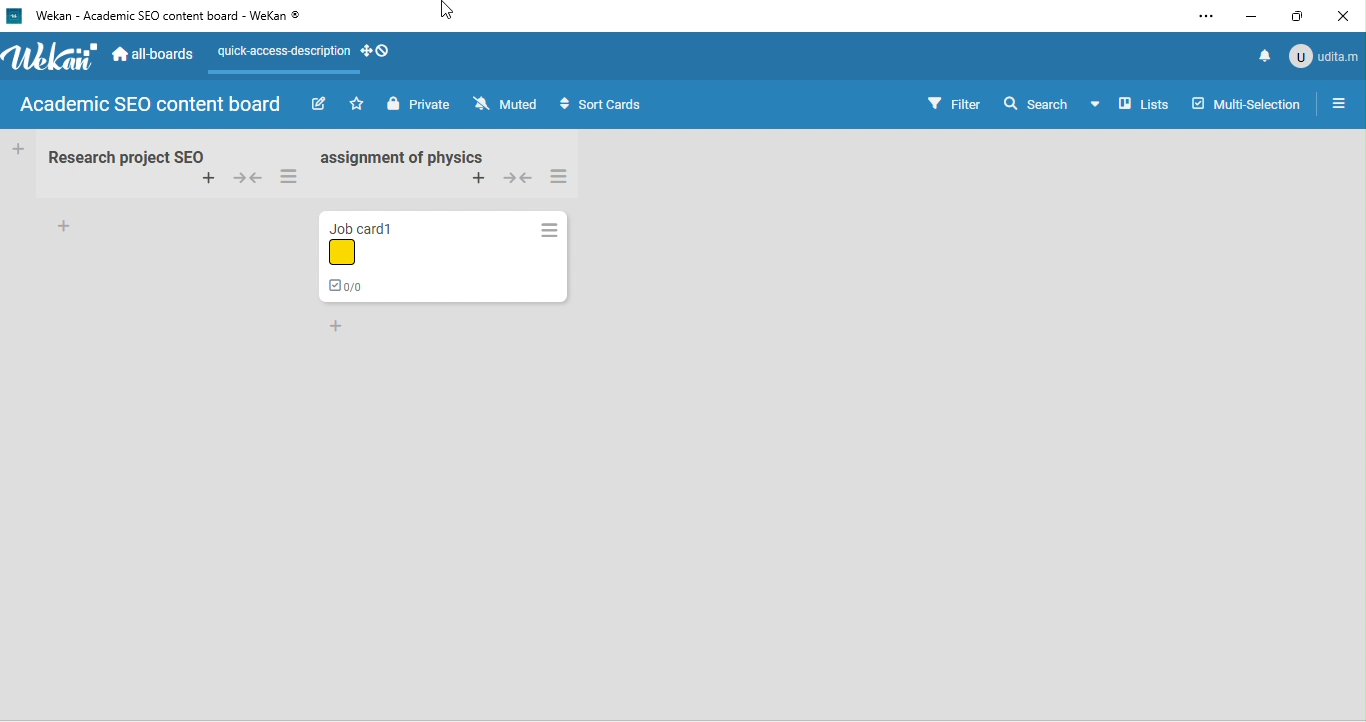 The width and height of the screenshot is (1366, 722). Describe the element at coordinates (415, 158) in the screenshot. I see `list name` at that location.